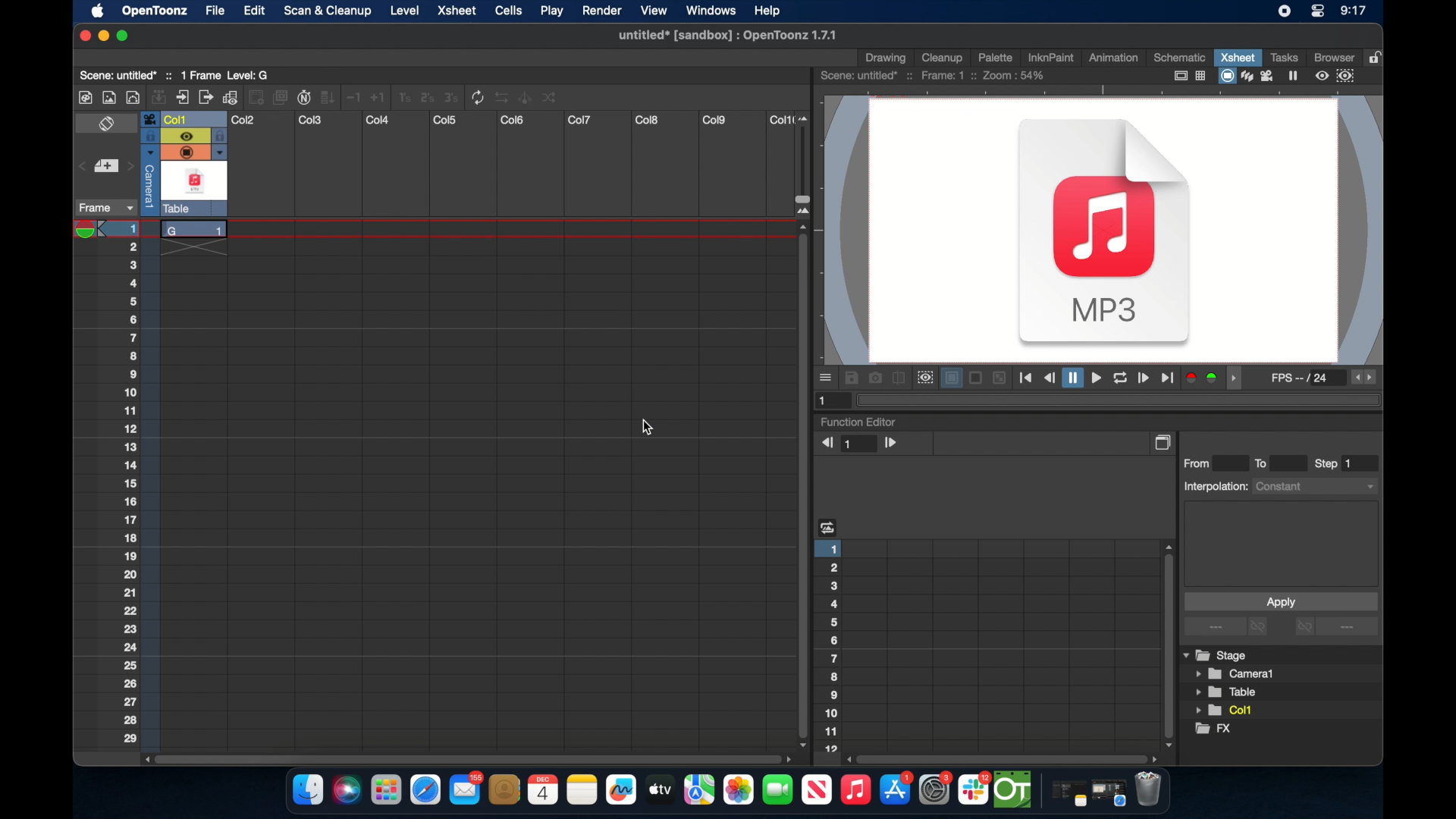  I want to click on opnetoonz, so click(153, 11).